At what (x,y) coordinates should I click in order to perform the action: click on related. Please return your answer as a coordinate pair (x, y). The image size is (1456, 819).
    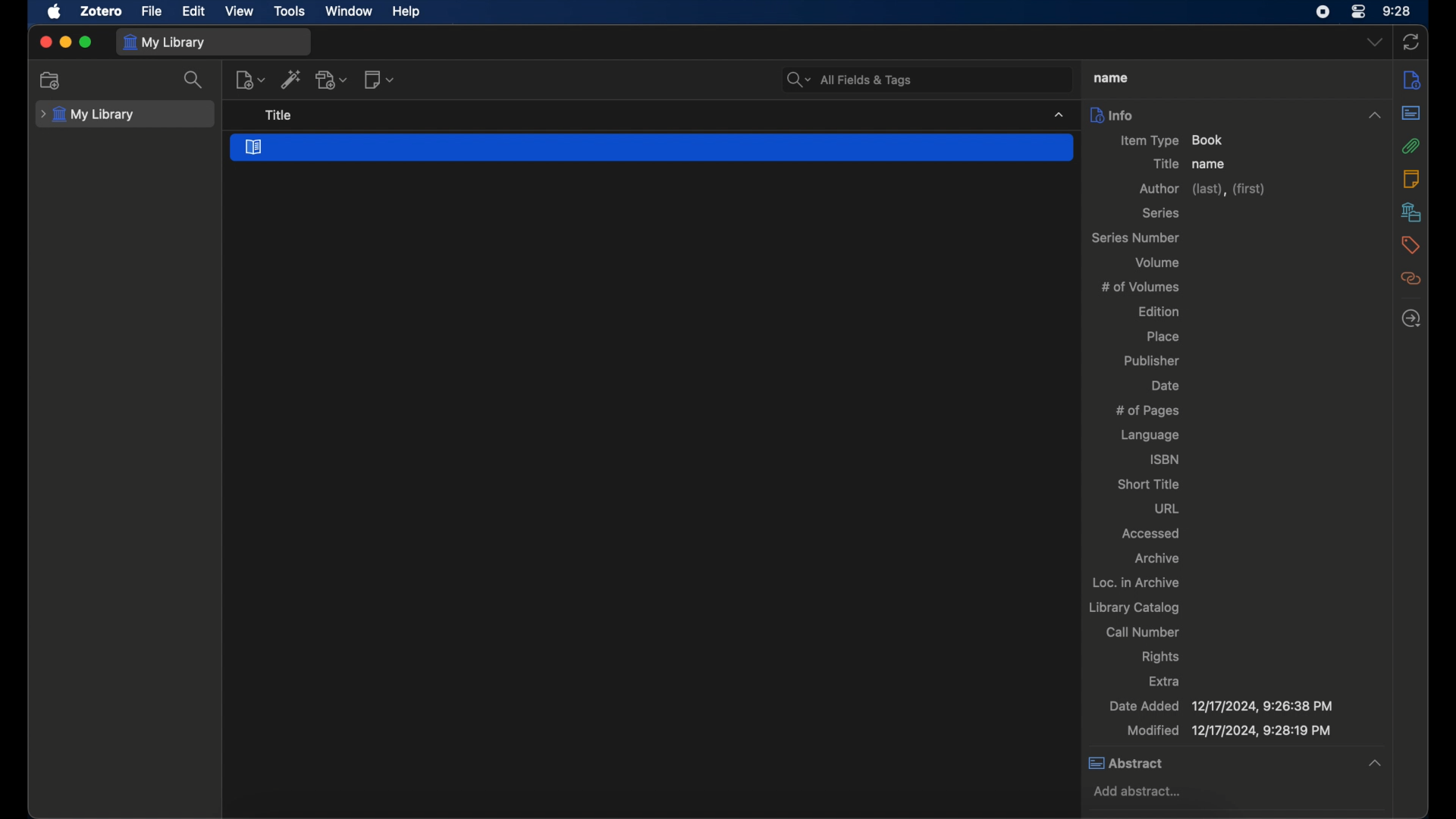
    Looking at the image, I should click on (1410, 278).